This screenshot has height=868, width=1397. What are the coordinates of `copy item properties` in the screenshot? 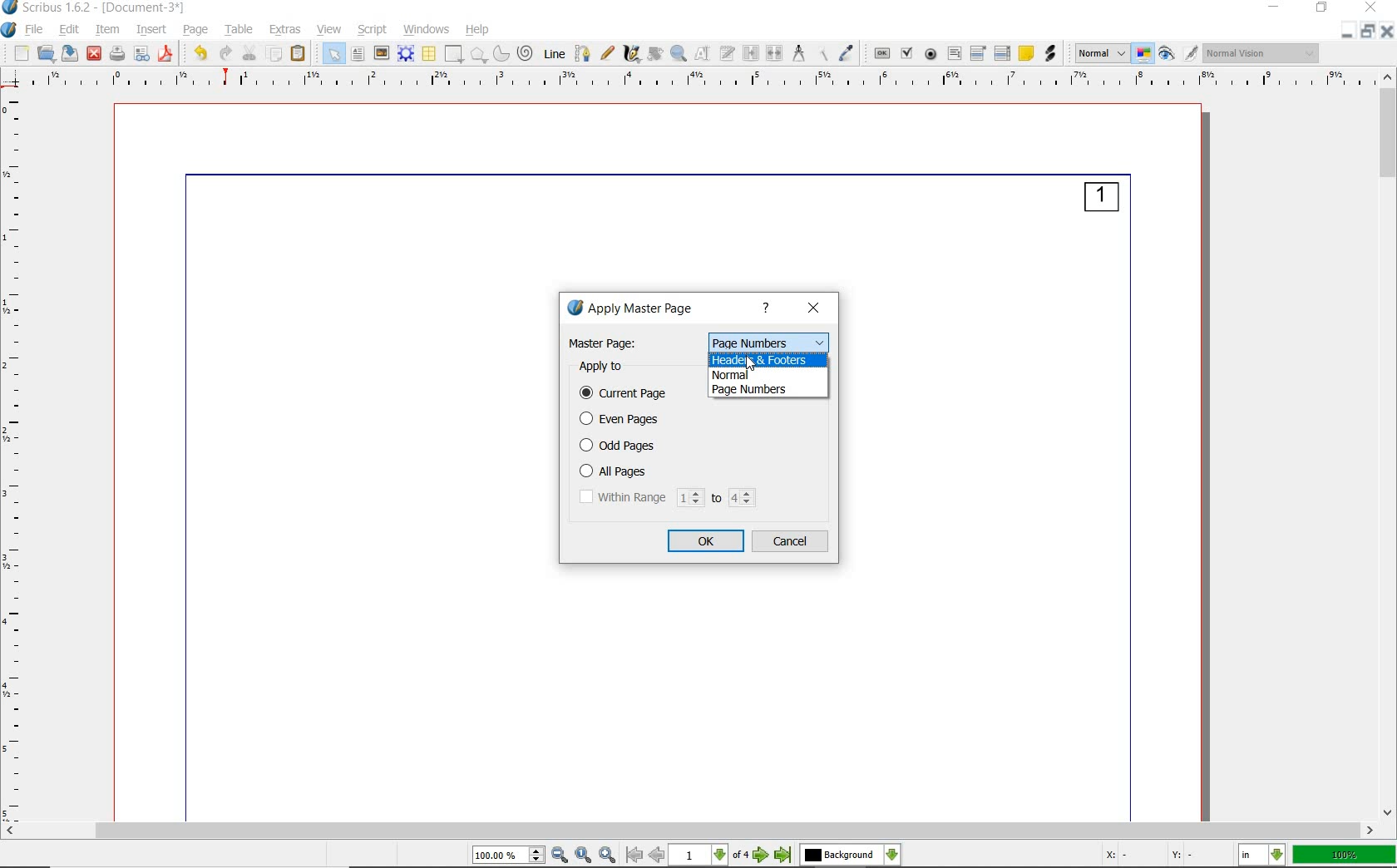 It's located at (822, 54).